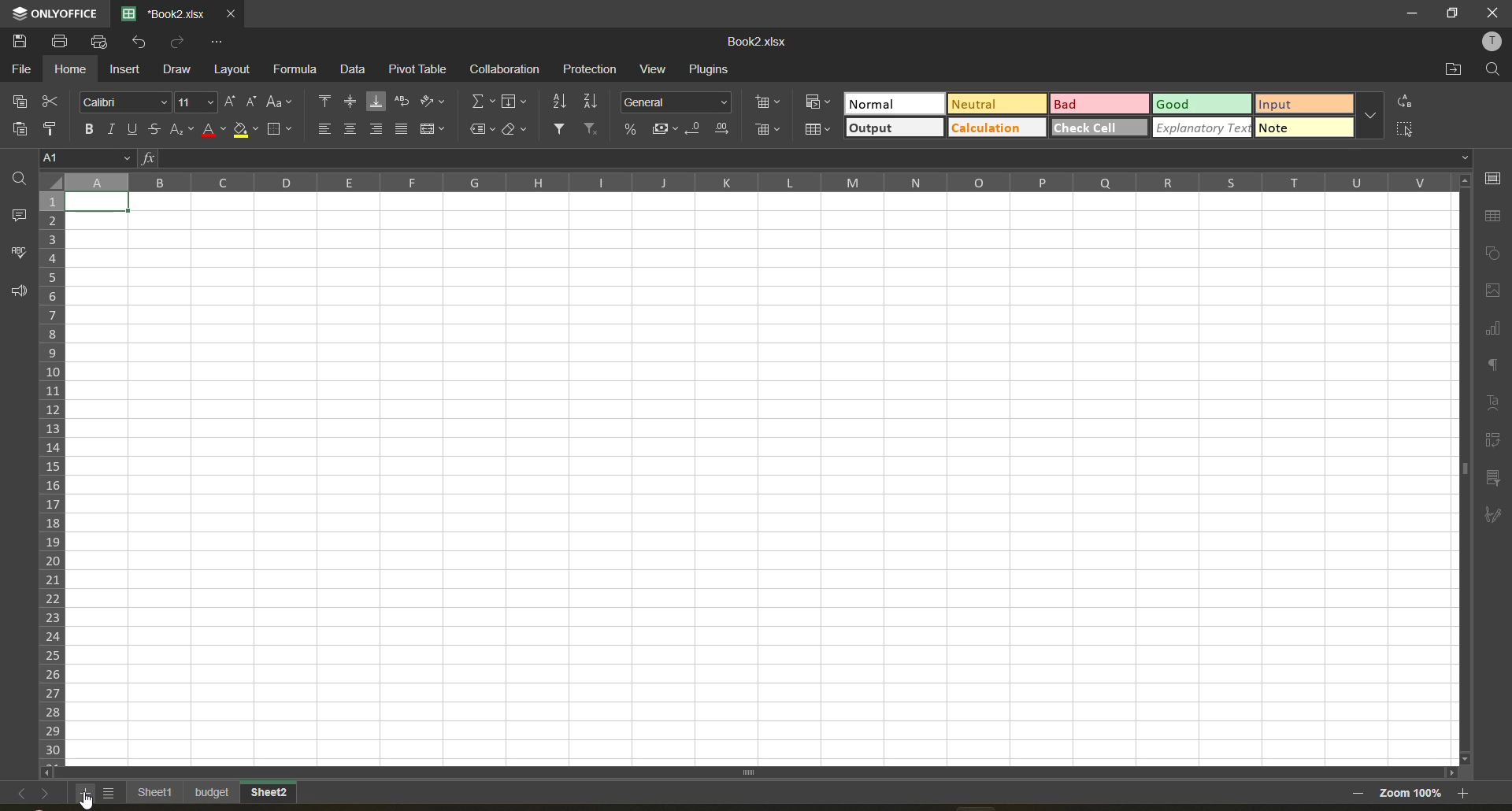 Image resolution: width=1512 pixels, height=811 pixels. Describe the element at coordinates (436, 130) in the screenshot. I see `merge and center` at that location.